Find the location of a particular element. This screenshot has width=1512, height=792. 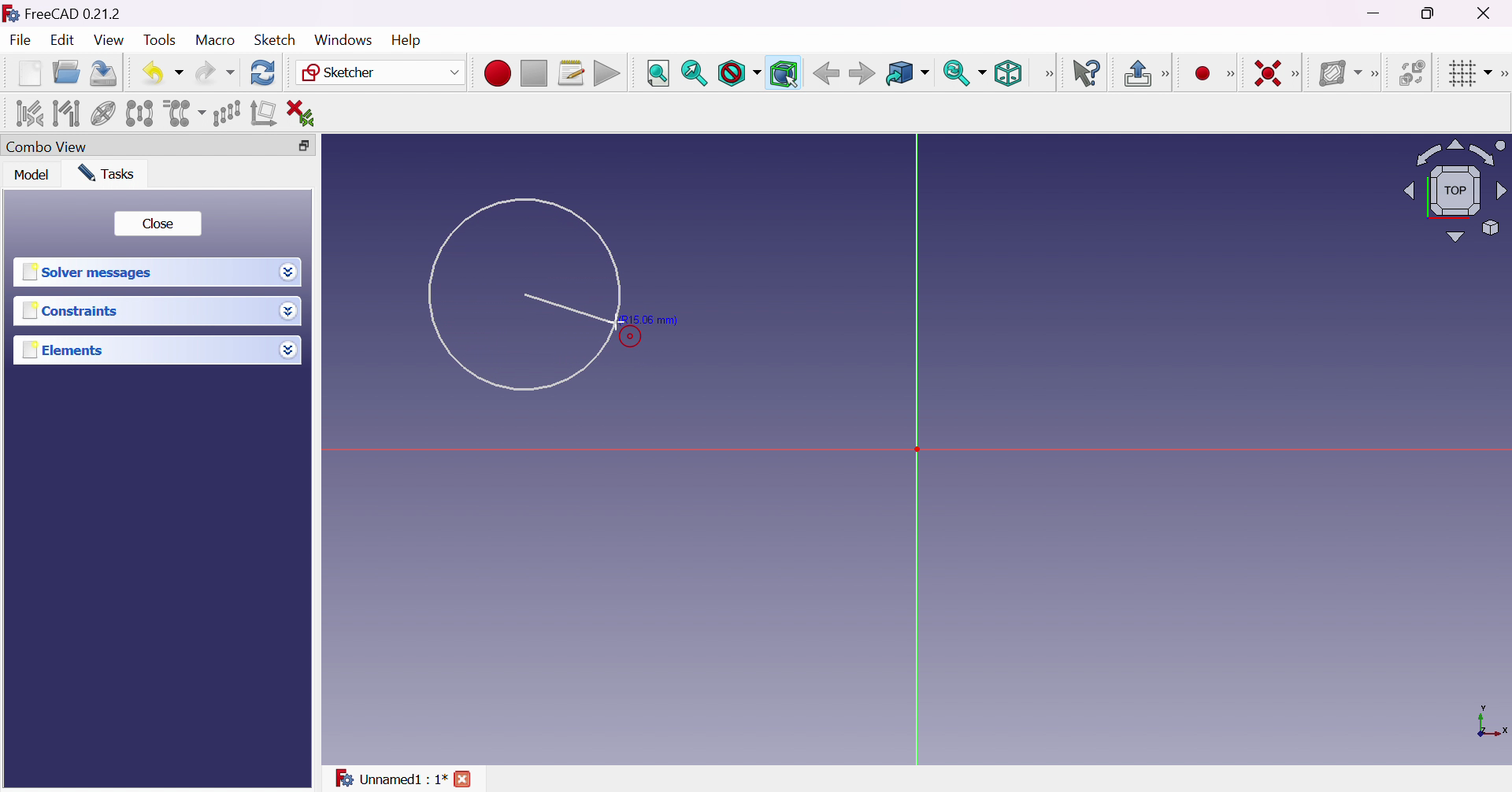

Refresh is located at coordinates (263, 72).